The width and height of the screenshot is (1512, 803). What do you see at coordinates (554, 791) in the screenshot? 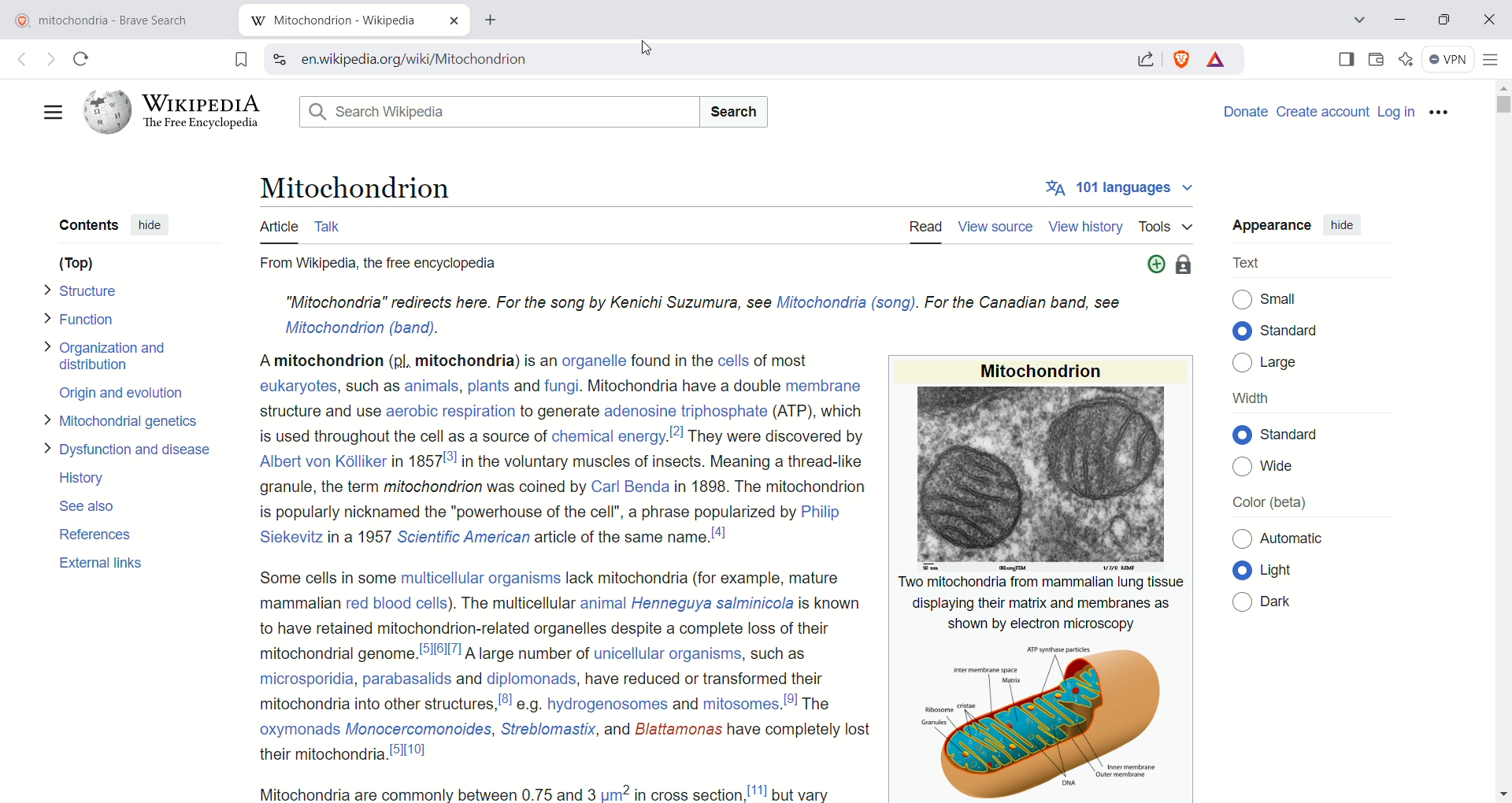
I see `Mitochondria are commonly between 0.75 and 3 mu m^2 in cross section [11] but vary` at bounding box center [554, 791].